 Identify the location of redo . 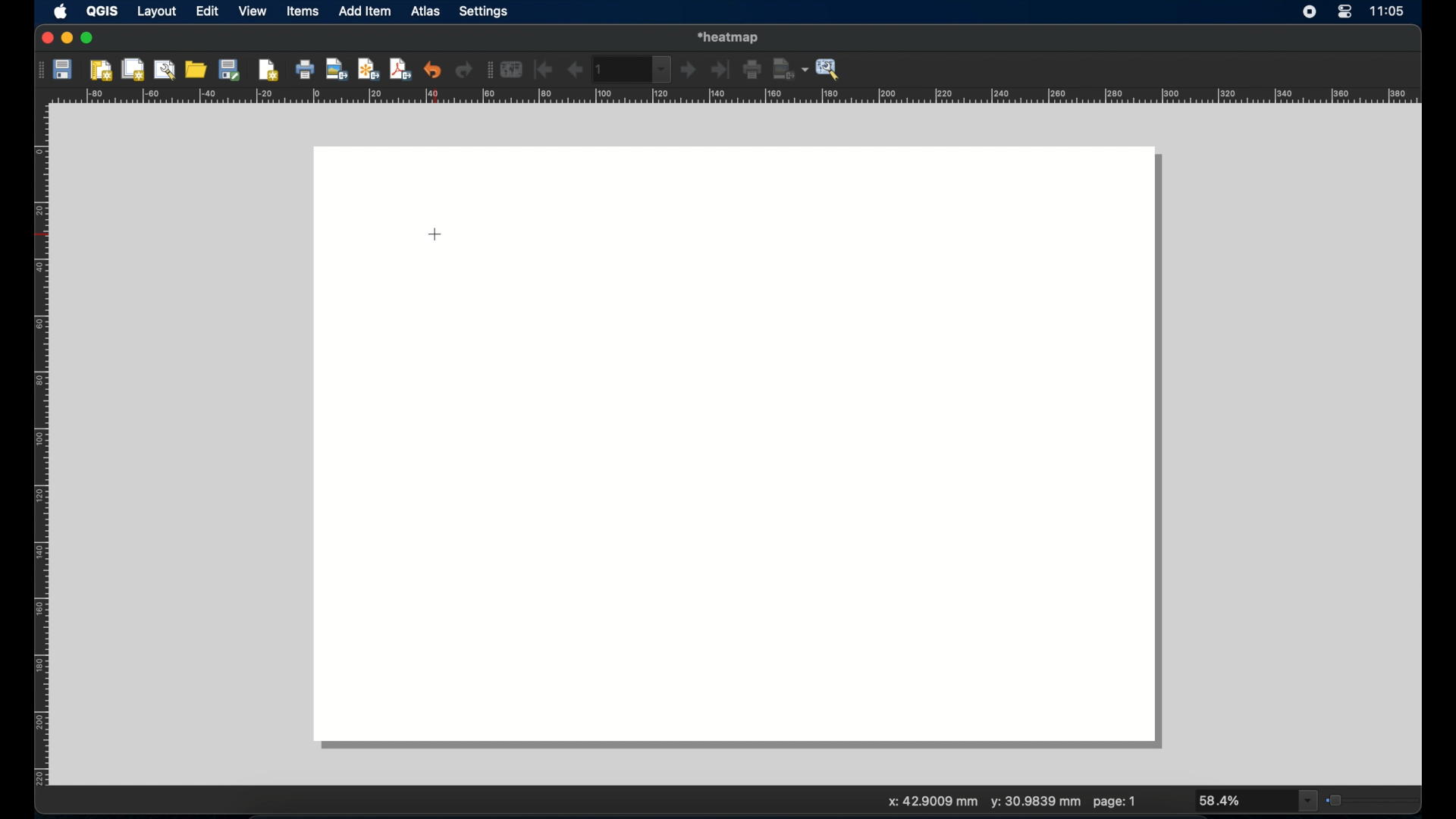
(464, 71).